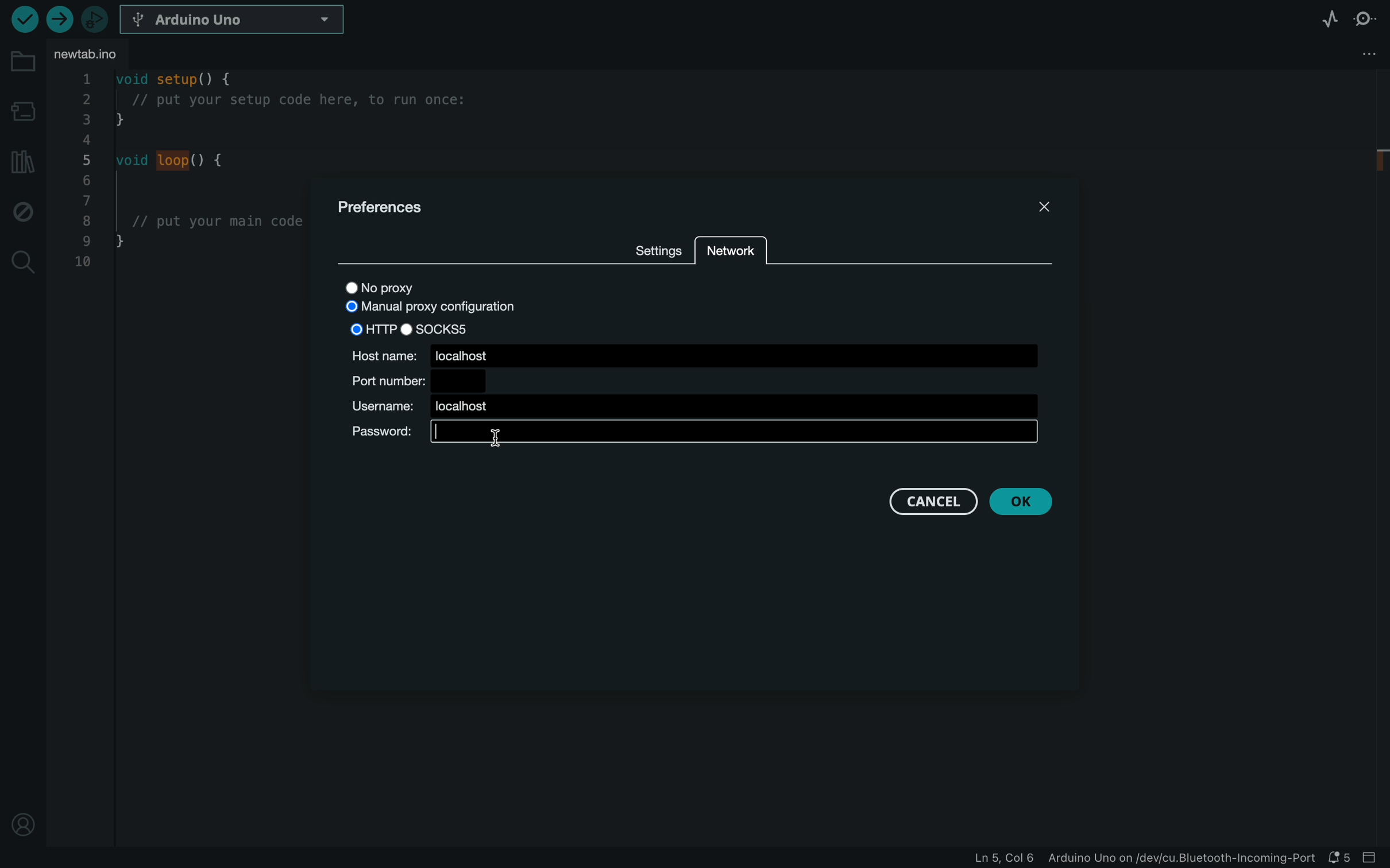  I want to click on debug, so click(23, 211).